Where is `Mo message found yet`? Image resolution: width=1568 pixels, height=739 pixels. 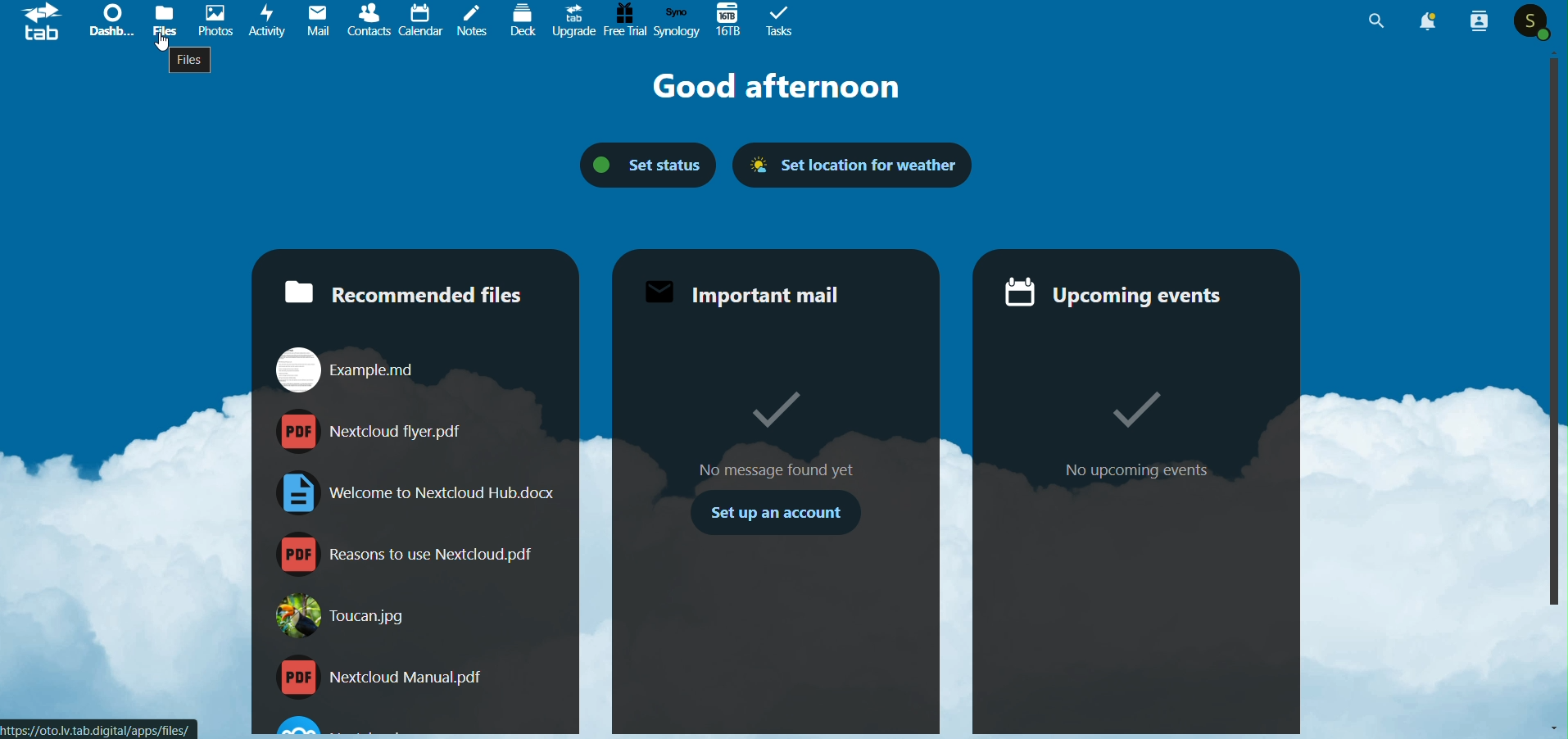
Mo message found yet is located at coordinates (783, 434).